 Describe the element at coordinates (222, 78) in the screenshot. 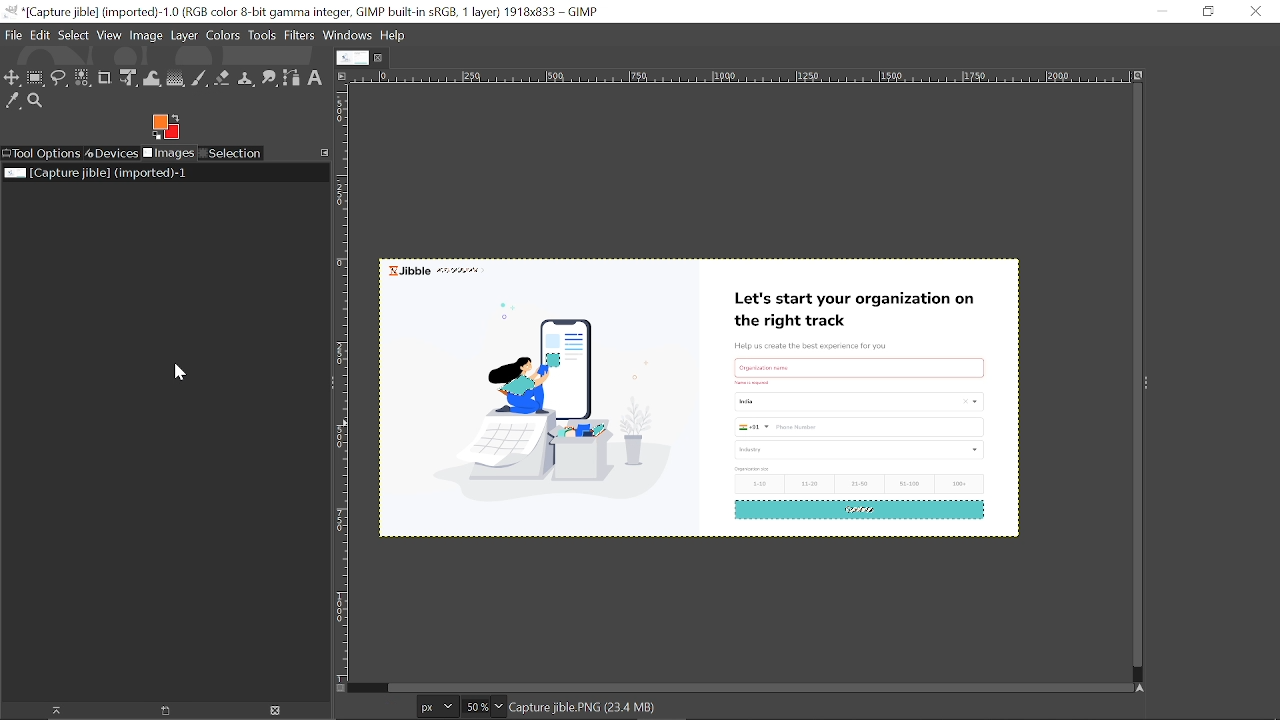

I see `Eraser tool` at that location.